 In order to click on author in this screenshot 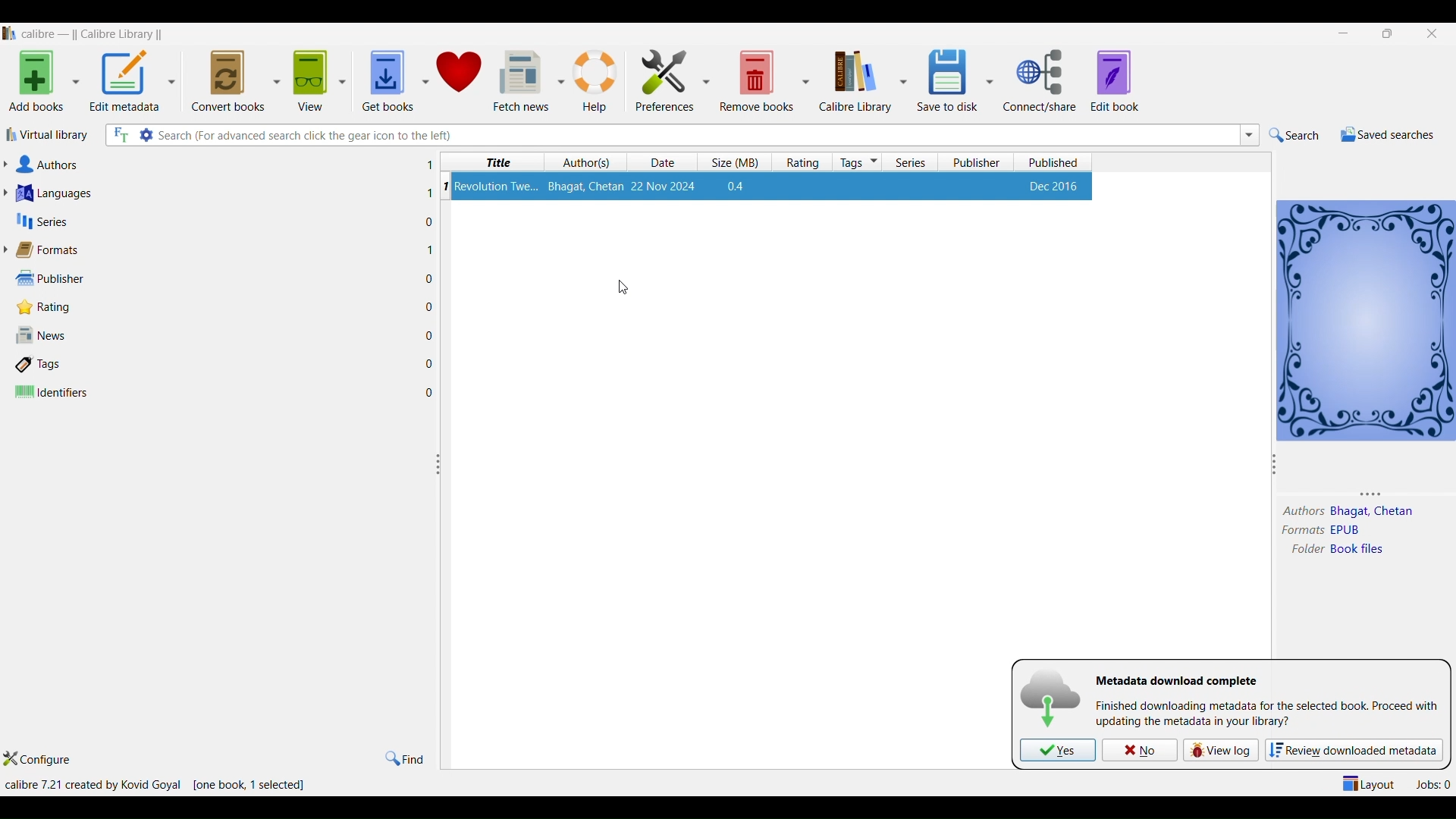, I will do `click(1300, 510)`.